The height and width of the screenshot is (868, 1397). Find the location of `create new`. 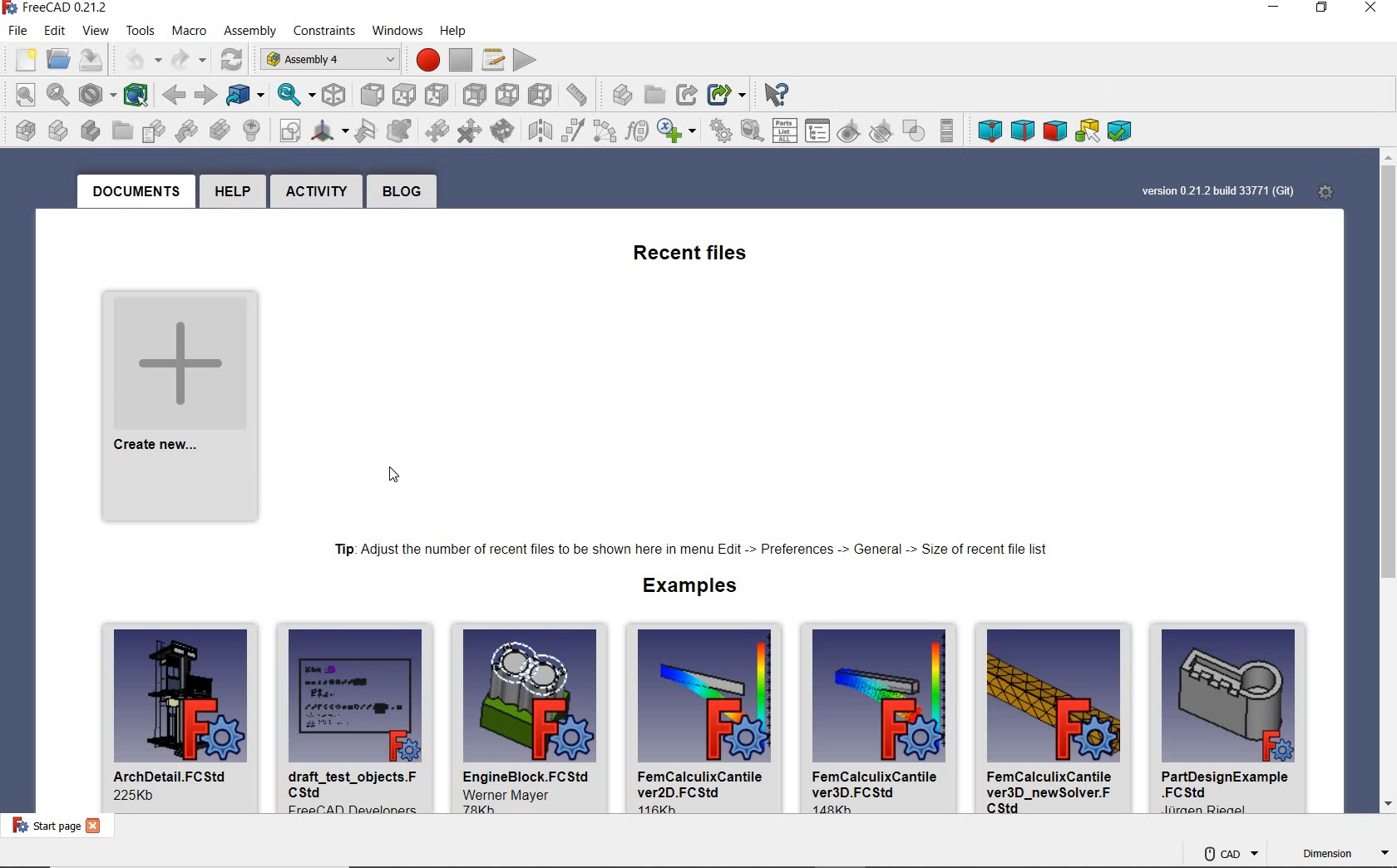

create new is located at coordinates (182, 408).